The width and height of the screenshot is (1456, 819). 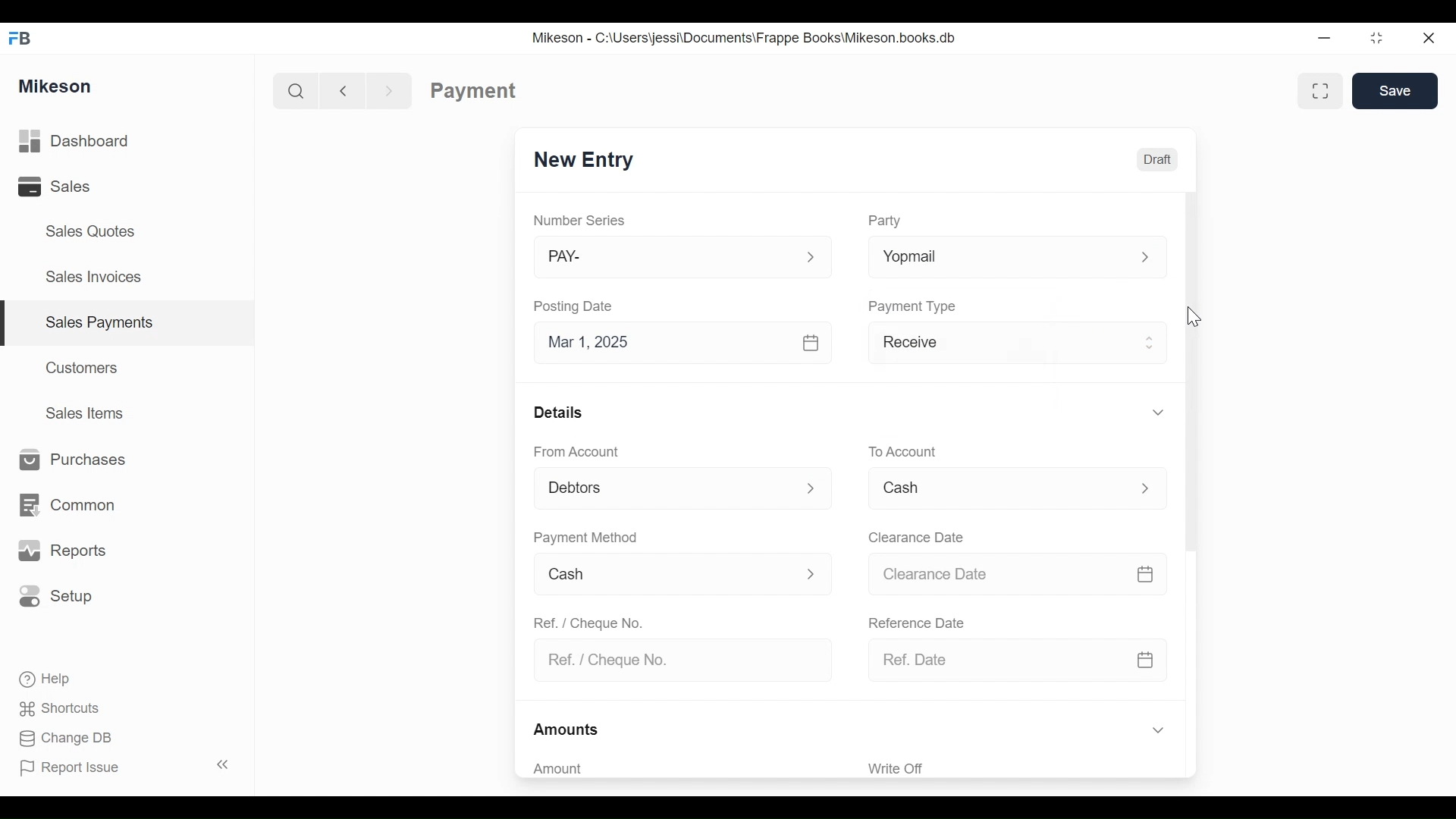 I want to click on Cash, so click(x=682, y=573).